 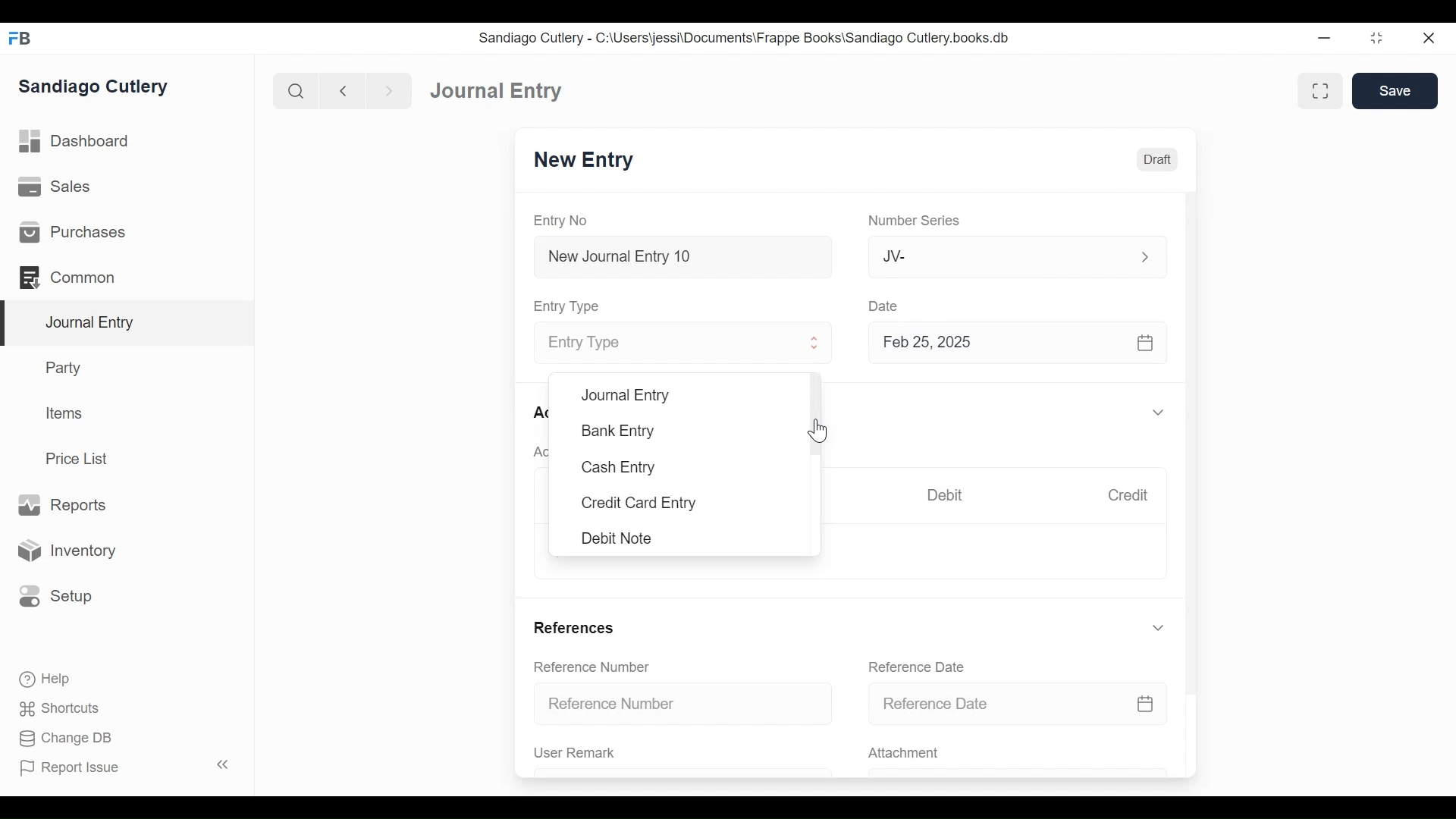 What do you see at coordinates (42, 677) in the screenshot?
I see `Help` at bounding box center [42, 677].